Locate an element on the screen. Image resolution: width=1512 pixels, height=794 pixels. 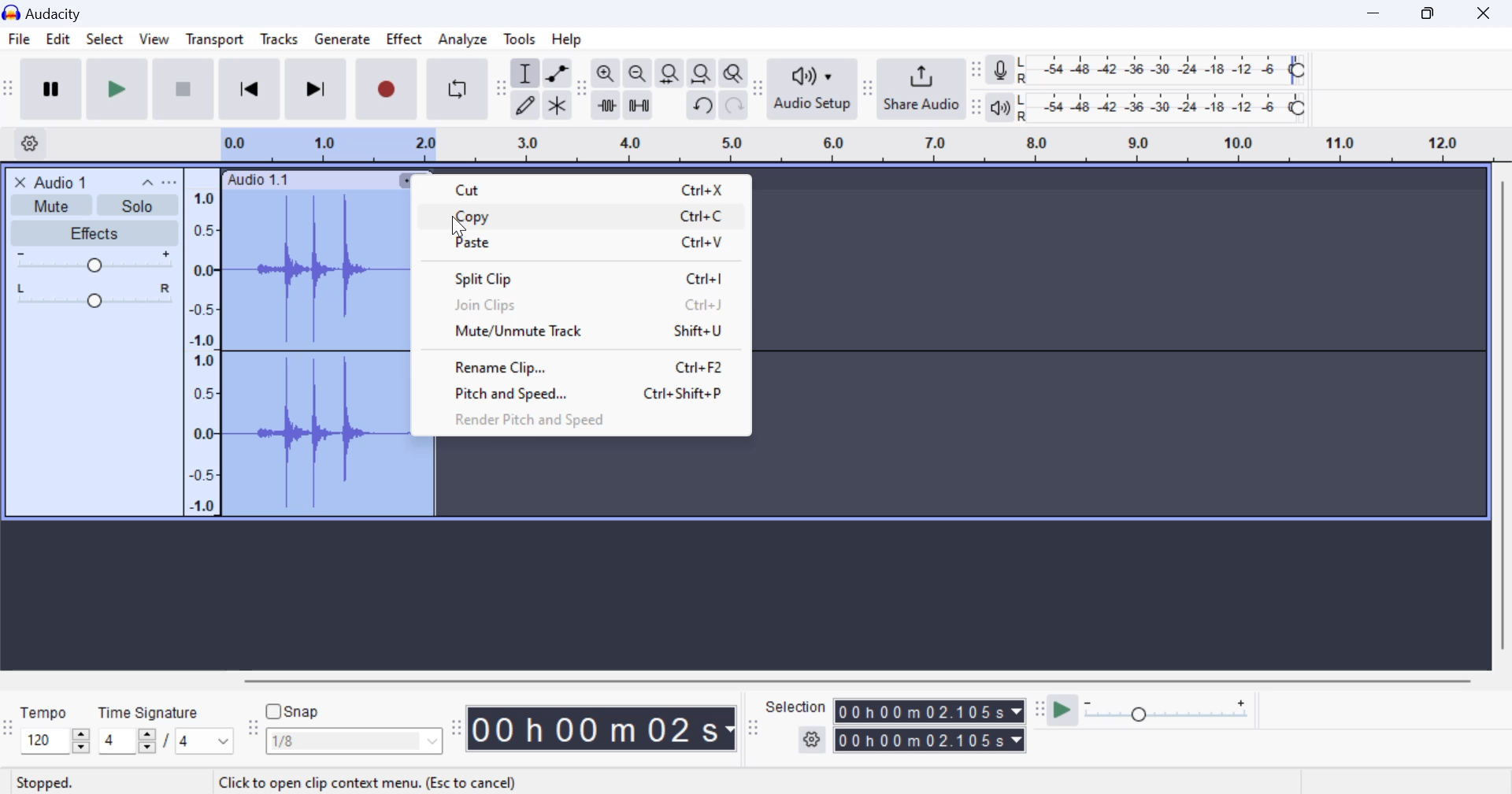
Snap options is located at coordinates (356, 744).